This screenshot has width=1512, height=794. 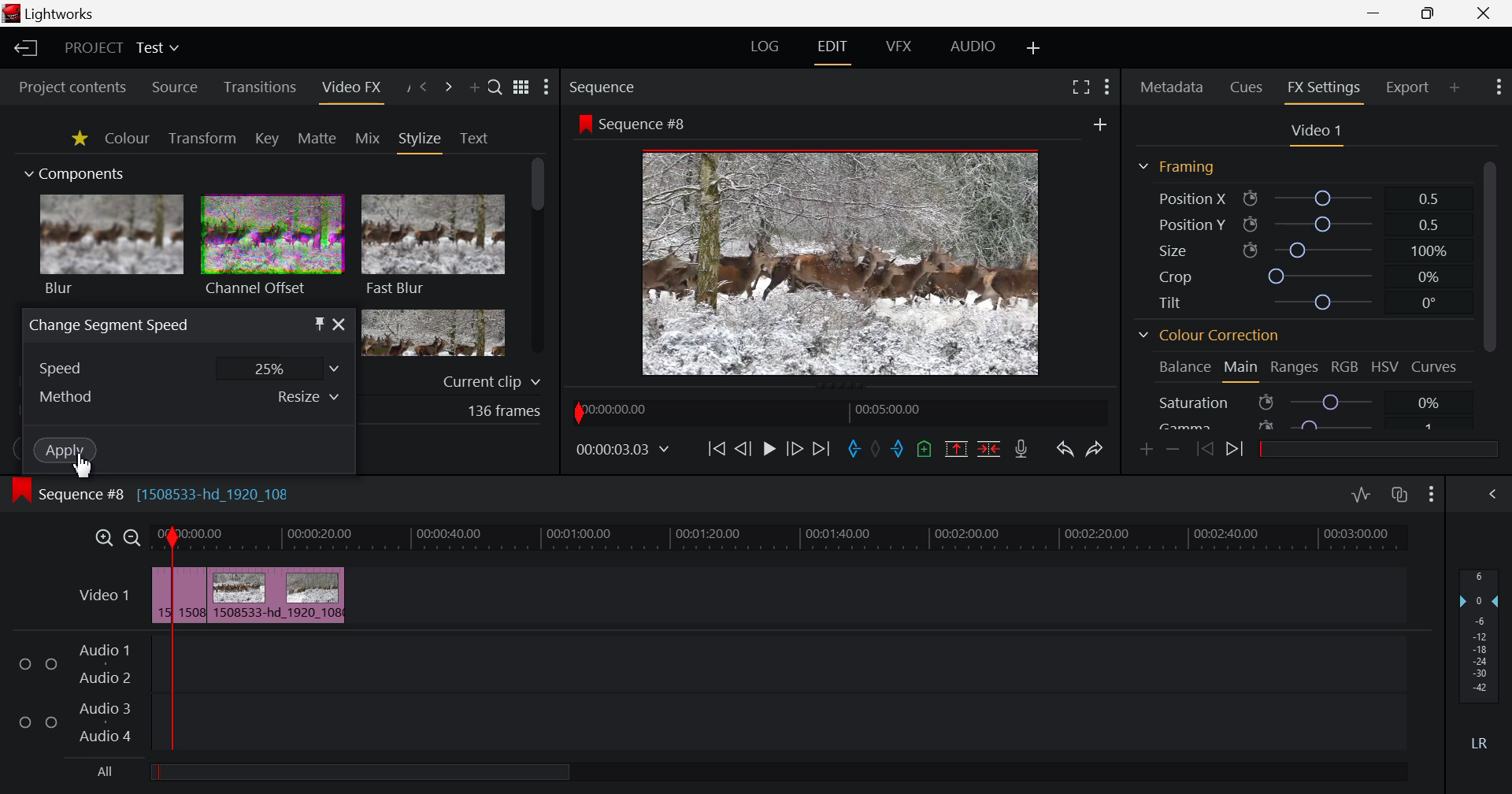 I want to click on channel offset, so click(x=271, y=248).